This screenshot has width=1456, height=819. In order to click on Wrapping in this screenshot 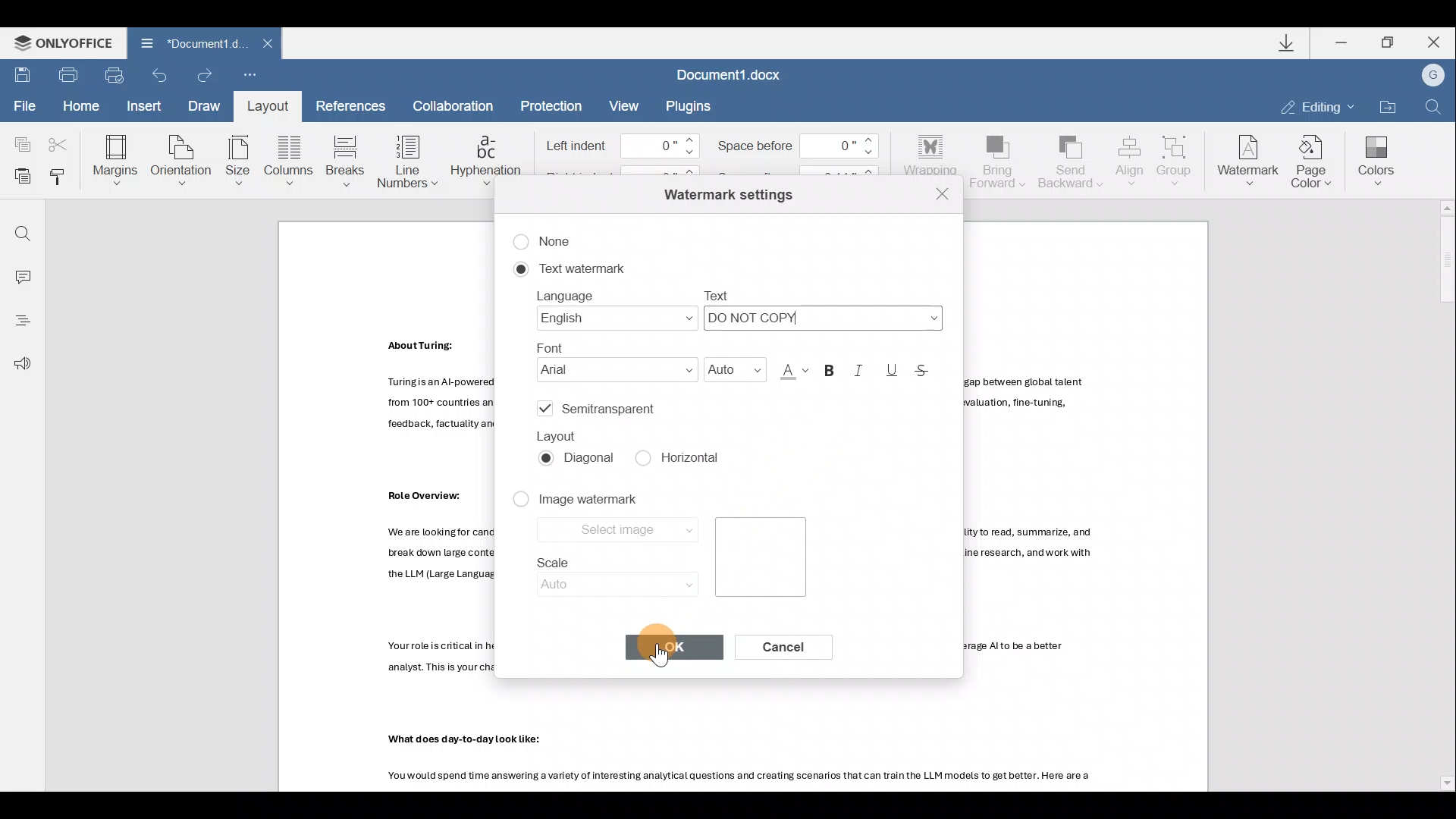, I will do `click(927, 149)`.